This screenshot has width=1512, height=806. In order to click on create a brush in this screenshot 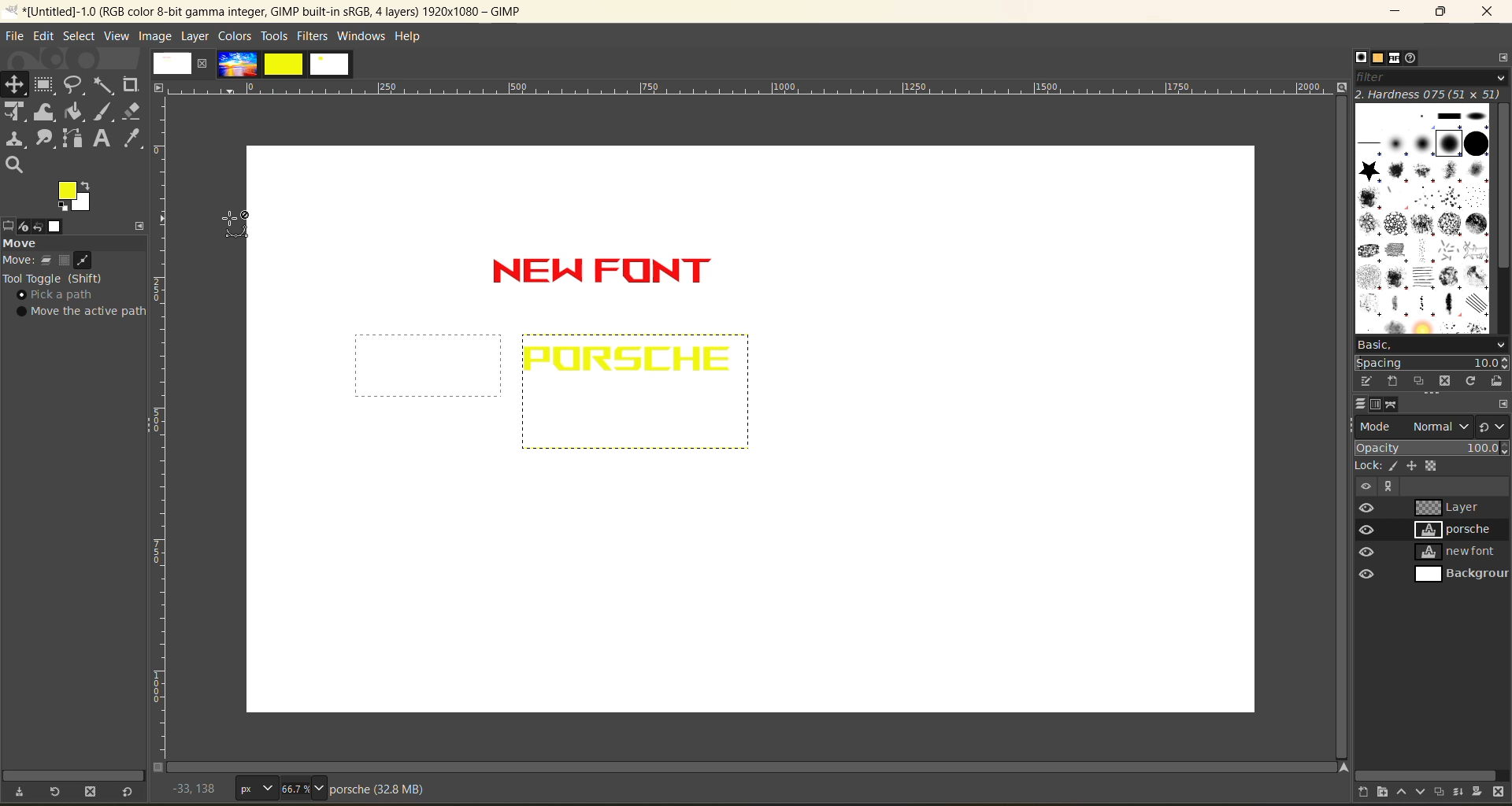, I will do `click(1384, 381)`.